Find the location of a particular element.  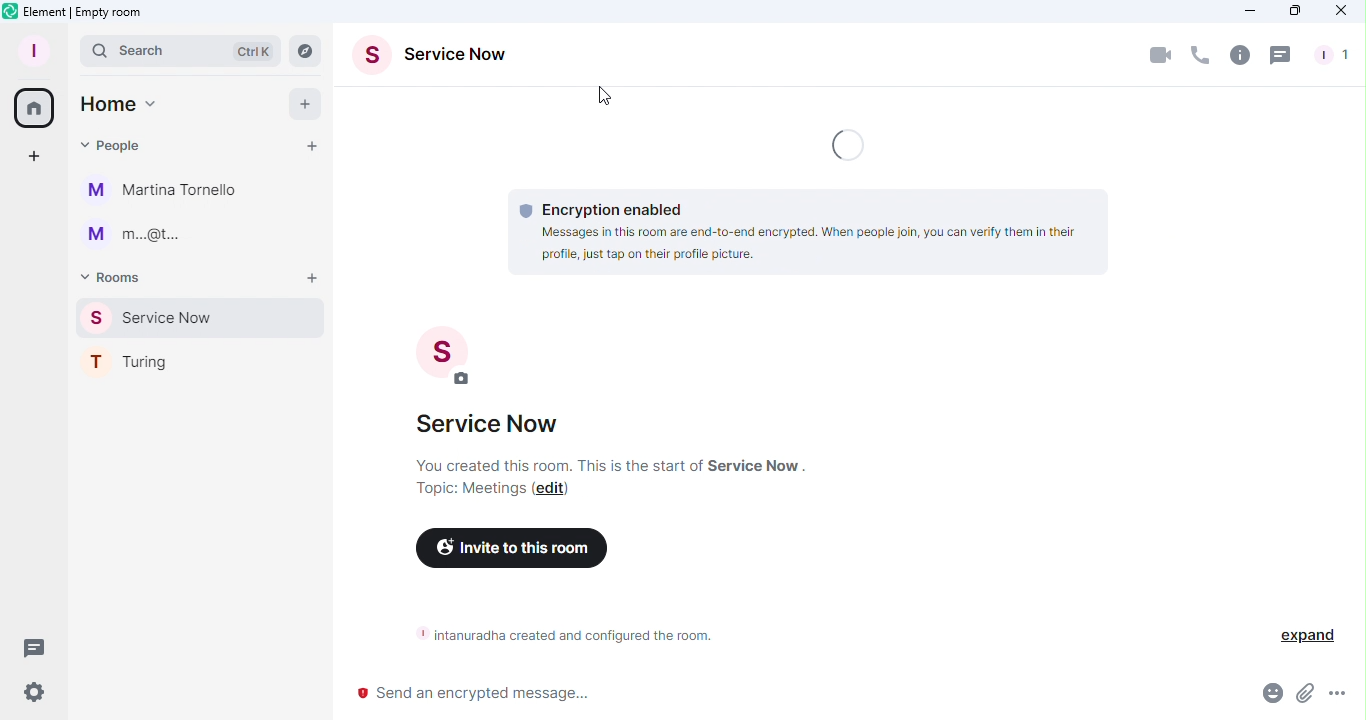

Search bar is located at coordinates (180, 50).